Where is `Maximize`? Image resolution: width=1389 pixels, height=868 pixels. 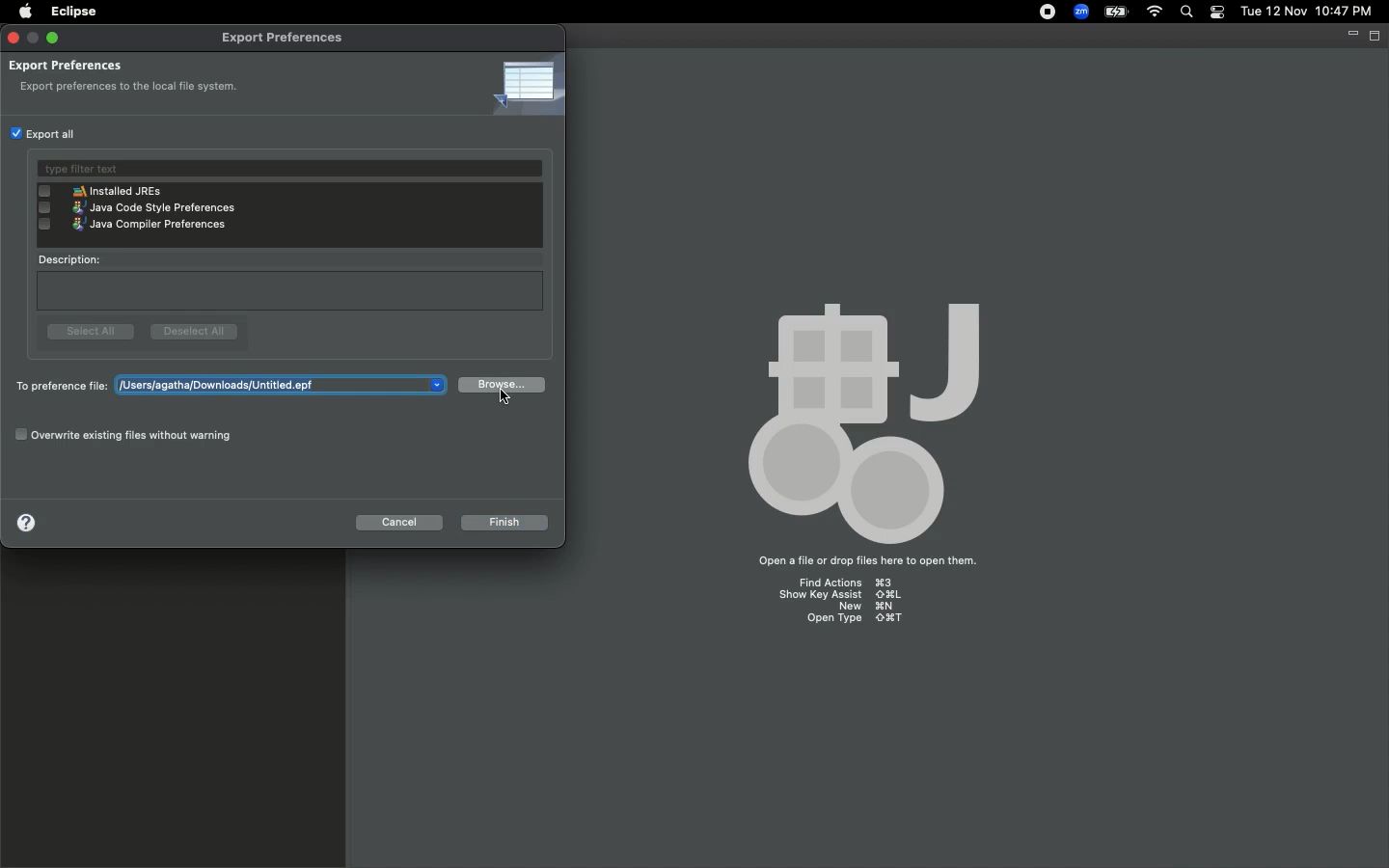 Maximize is located at coordinates (52, 39).